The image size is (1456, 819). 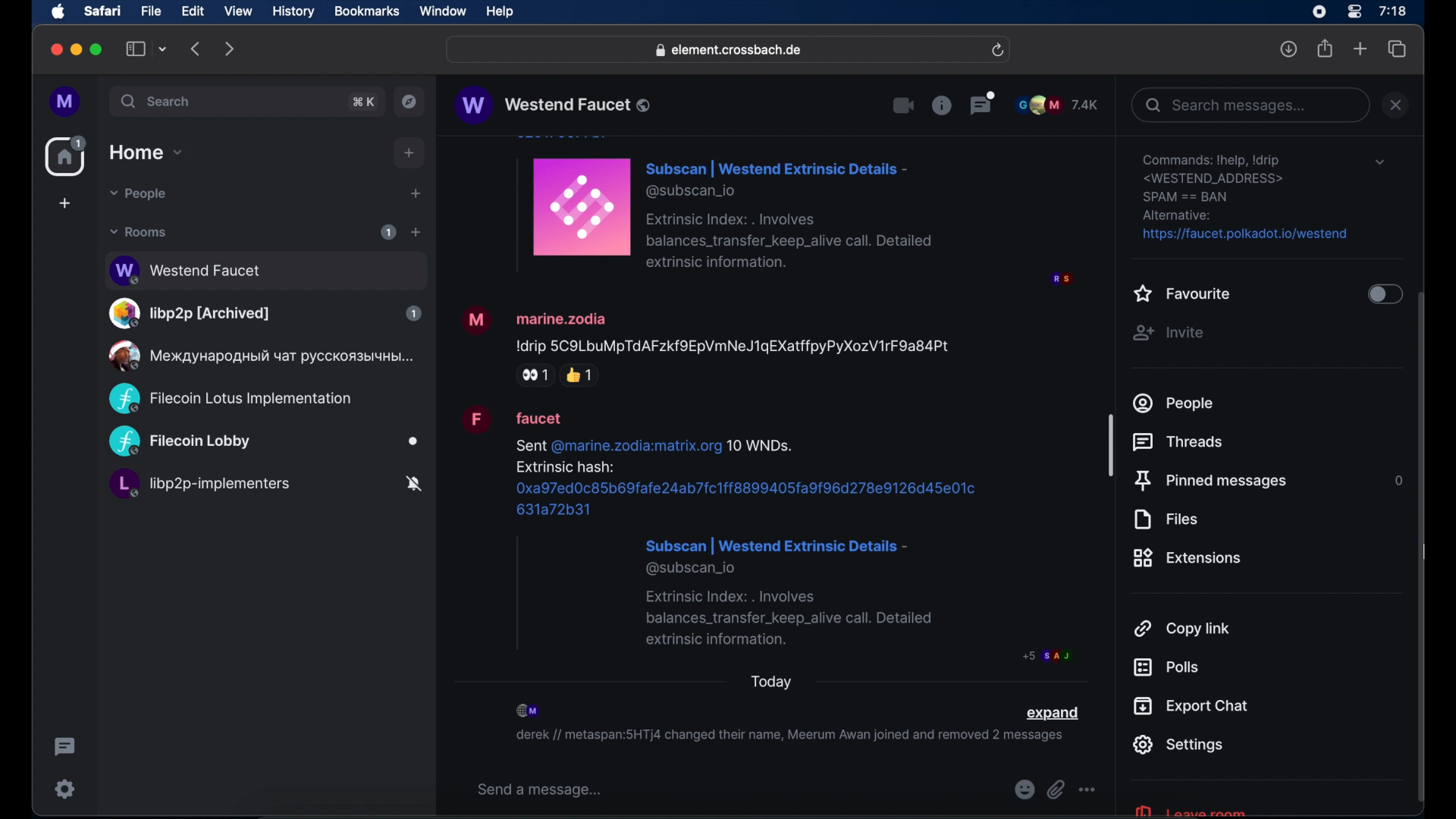 What do you see at coordinates (1165, 519) in the screenshot?
I see `files` at bounding box center [1165, 519].